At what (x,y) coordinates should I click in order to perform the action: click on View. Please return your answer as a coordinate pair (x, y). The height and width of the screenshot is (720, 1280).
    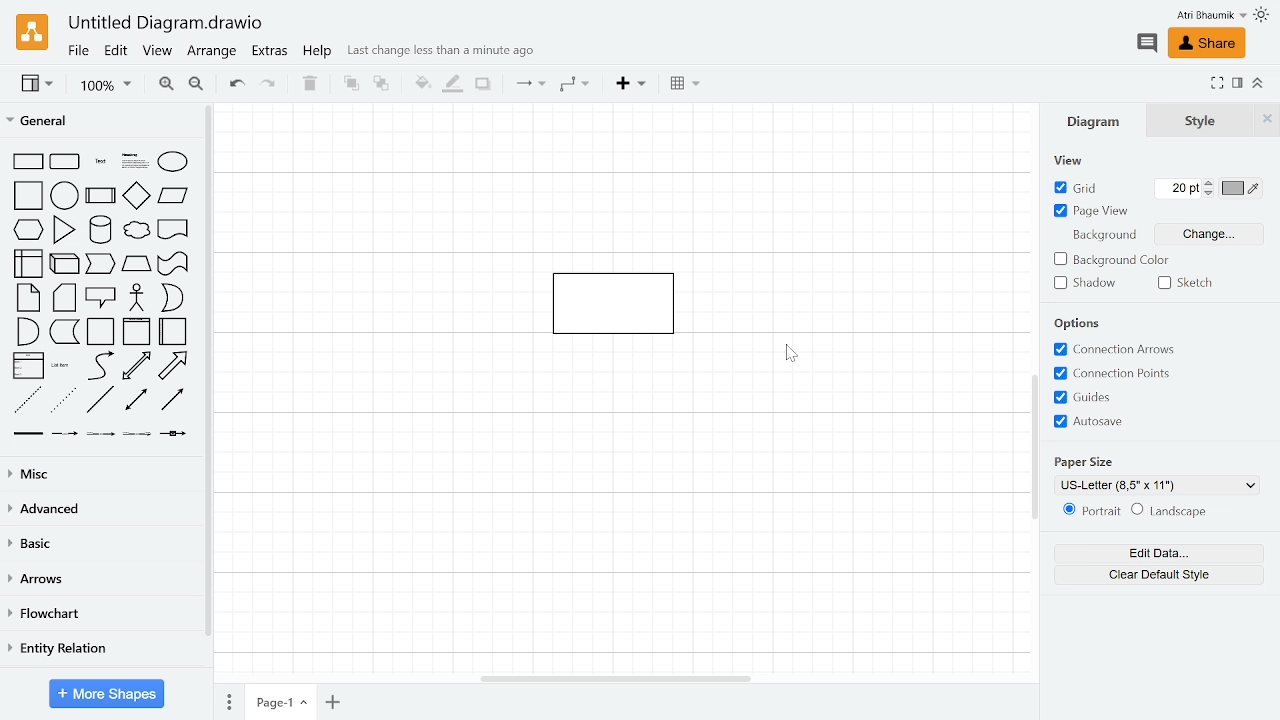
    Looking at the image, I should click on (157, 51).